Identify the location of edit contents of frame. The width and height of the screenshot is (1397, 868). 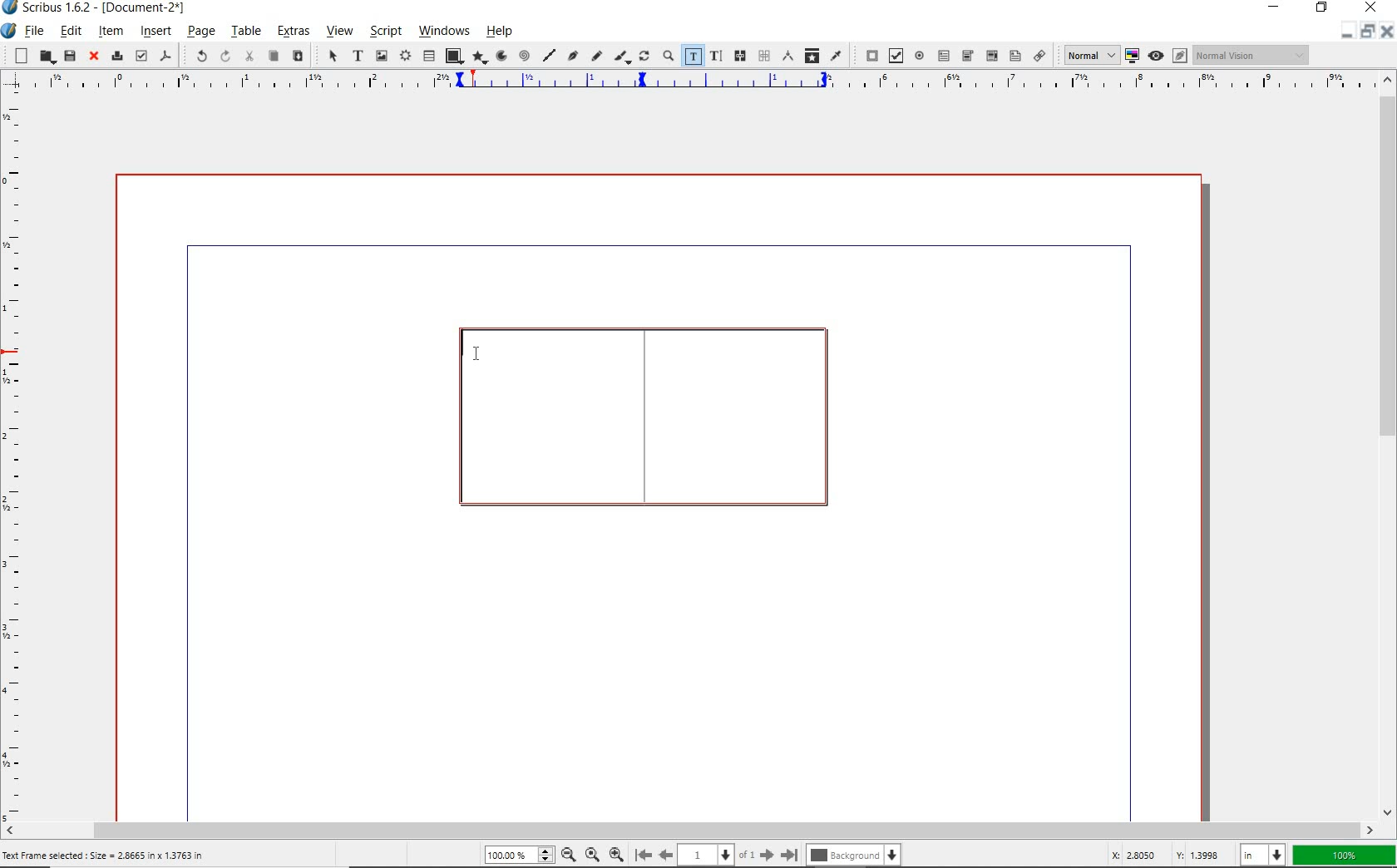
(693, 57).